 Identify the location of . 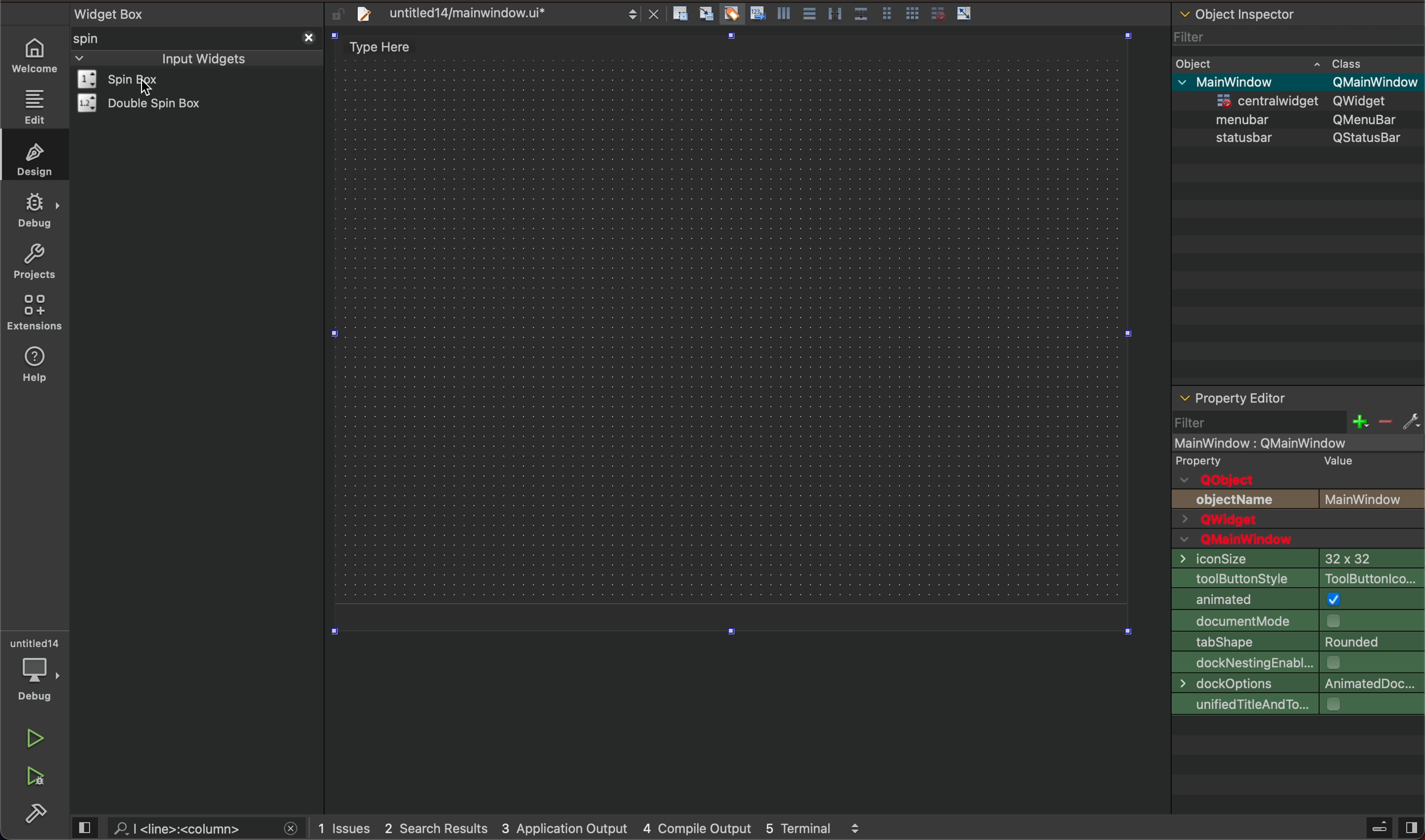
(1369, 137).